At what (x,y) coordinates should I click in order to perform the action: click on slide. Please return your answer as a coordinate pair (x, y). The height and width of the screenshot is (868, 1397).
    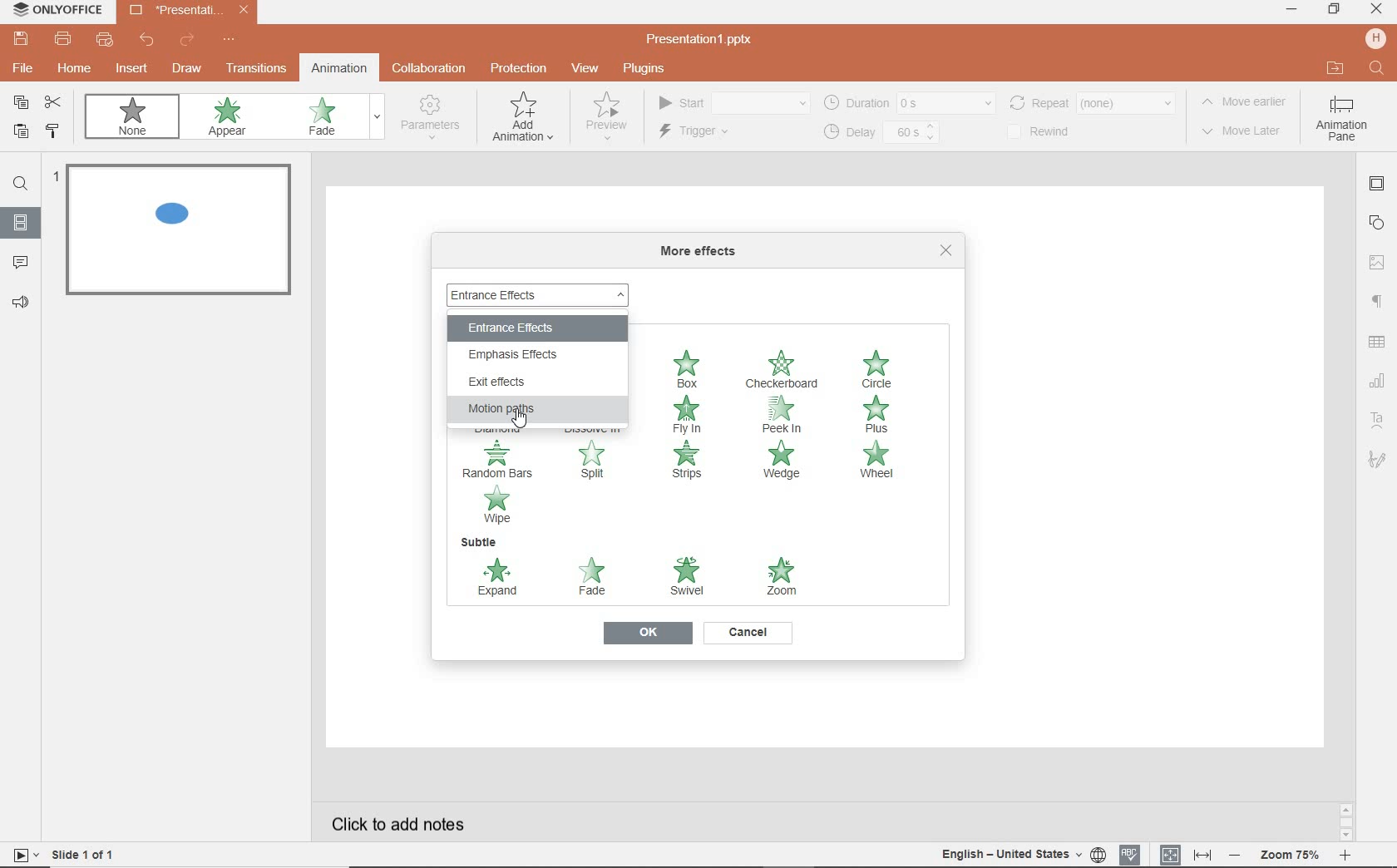
    Looking at the image, I should click on (21, 224).